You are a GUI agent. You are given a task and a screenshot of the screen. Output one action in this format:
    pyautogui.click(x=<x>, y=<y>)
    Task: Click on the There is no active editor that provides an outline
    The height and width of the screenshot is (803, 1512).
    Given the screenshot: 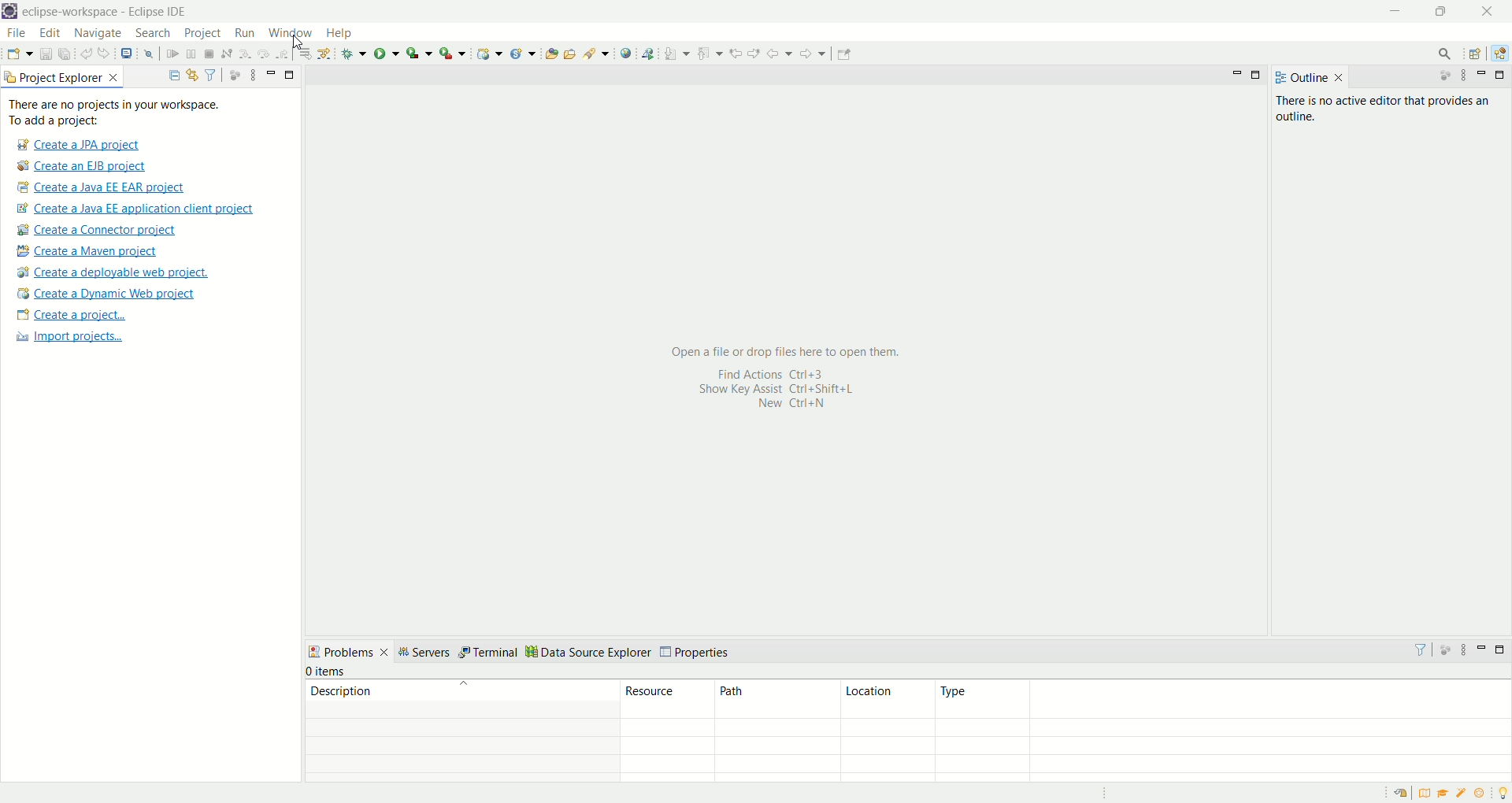 What is the action you would take?
    pyautogui.click(x=1388, y=111)
    